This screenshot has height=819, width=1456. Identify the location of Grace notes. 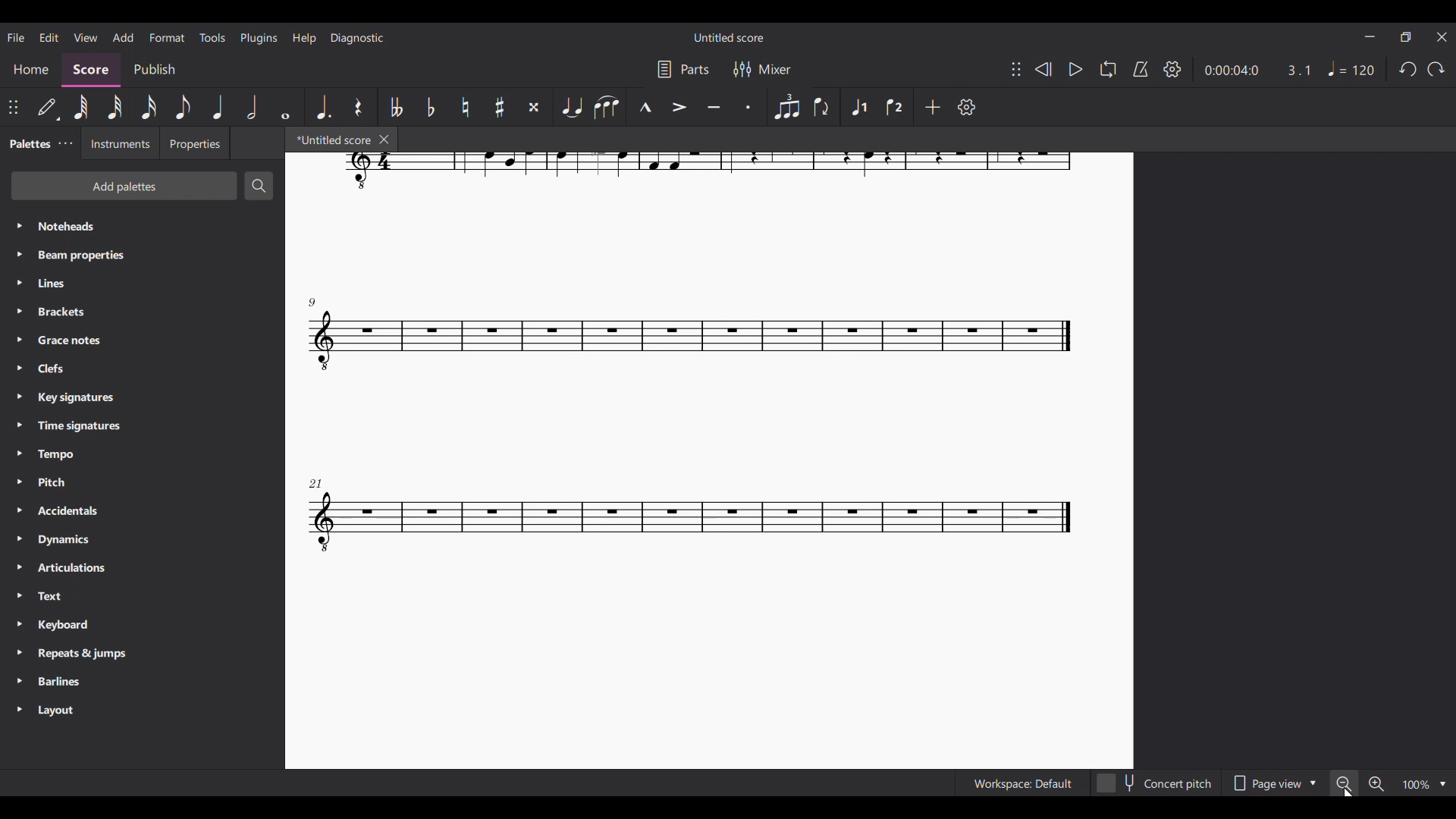
(142, 340).